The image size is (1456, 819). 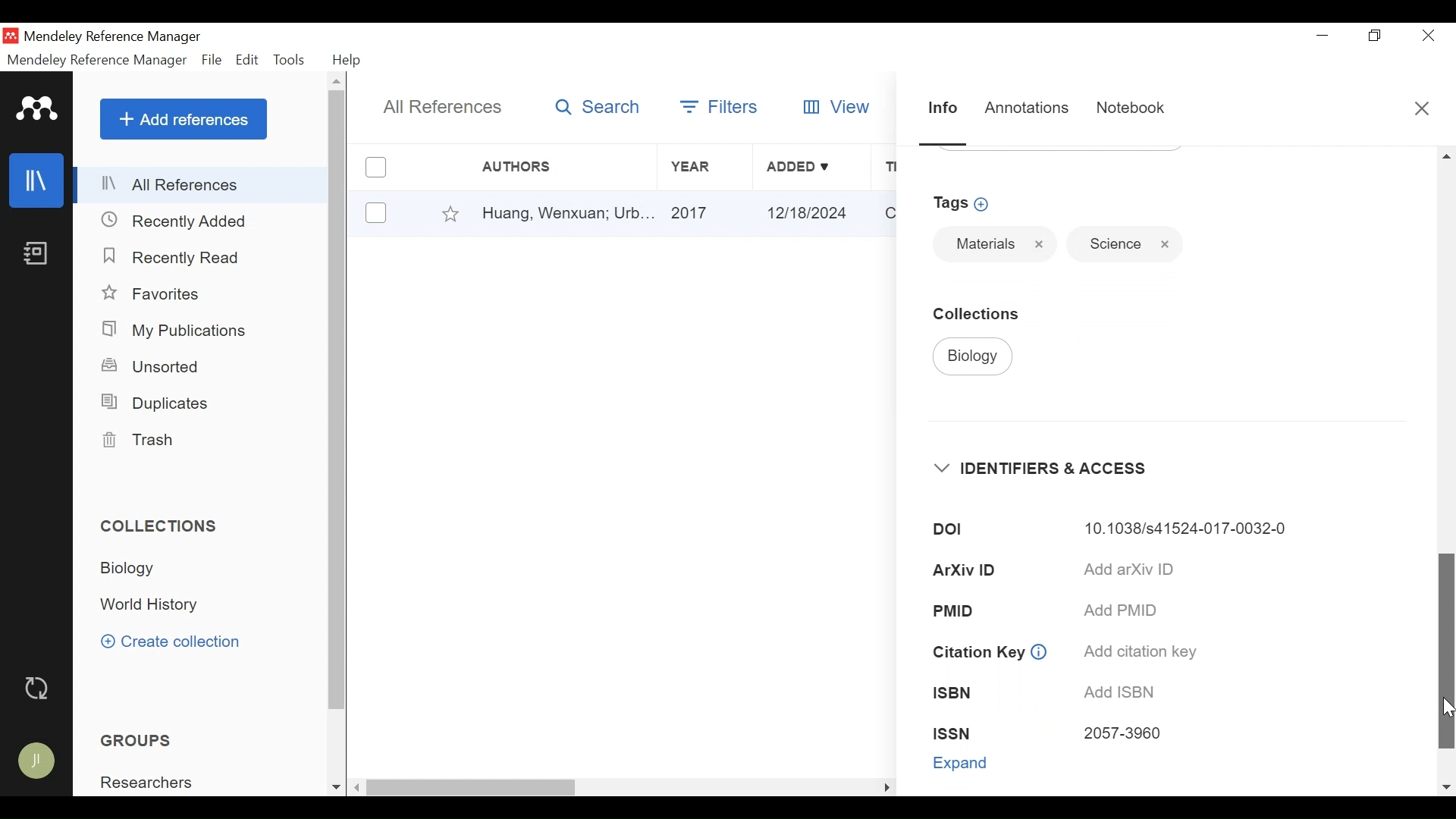 What do you see at coordinates (1109, 244) in the screenshot?
I see `Science` at bounding box center [1109, 244].